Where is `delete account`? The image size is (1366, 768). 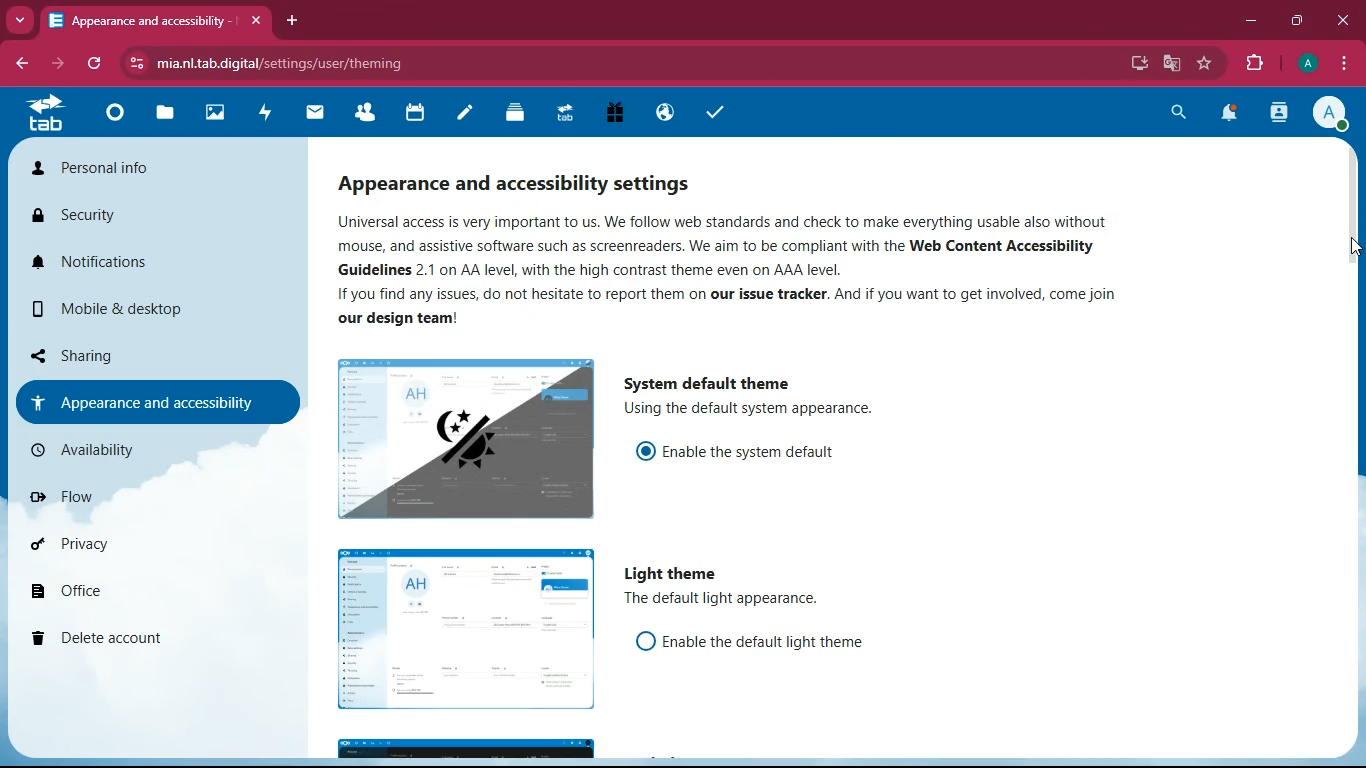
delete account is located at coordinates (126, 640).